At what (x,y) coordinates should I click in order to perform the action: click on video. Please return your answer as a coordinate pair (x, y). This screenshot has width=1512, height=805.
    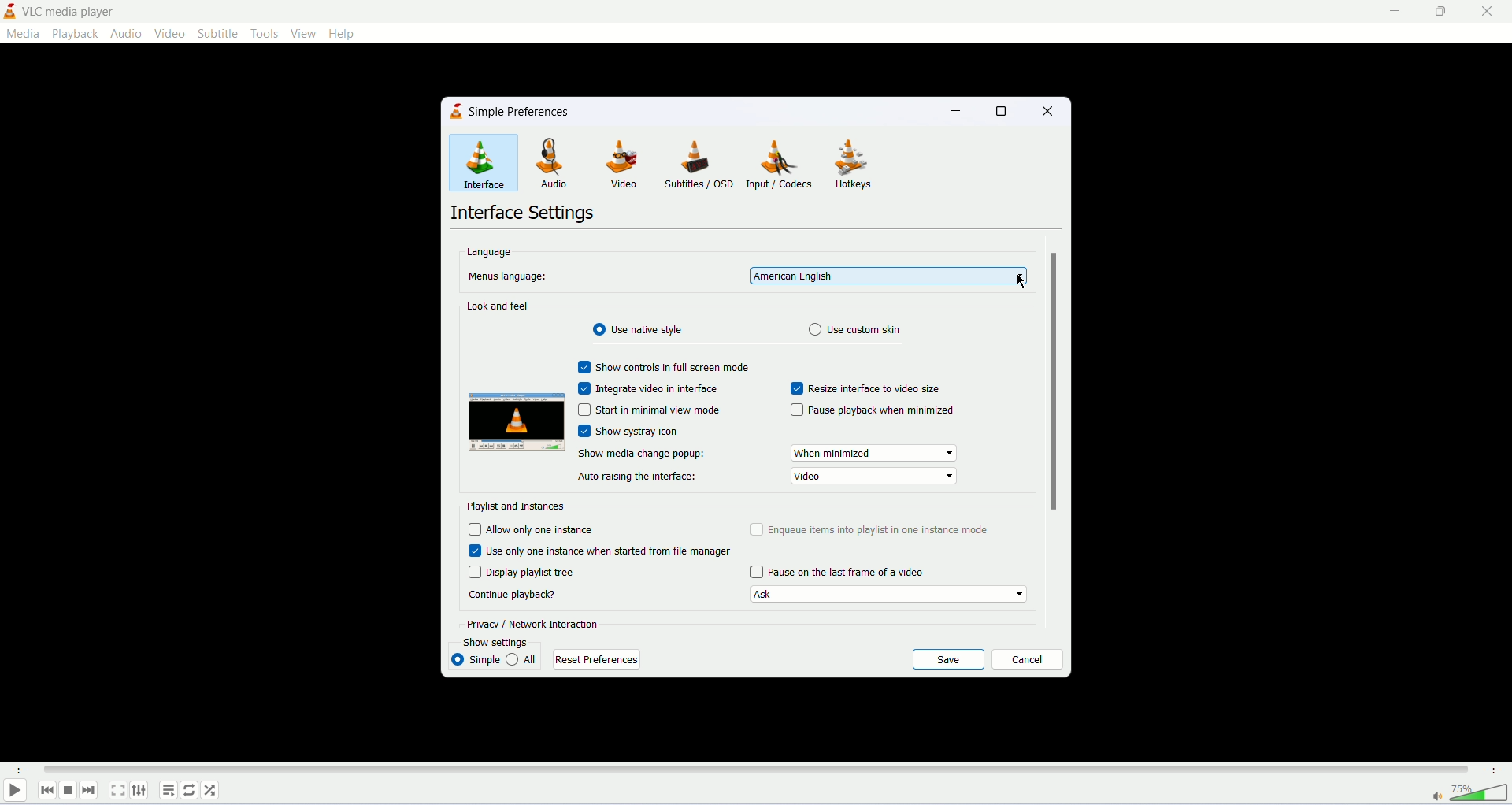
    Looking at the image, I should click on (169, 33).